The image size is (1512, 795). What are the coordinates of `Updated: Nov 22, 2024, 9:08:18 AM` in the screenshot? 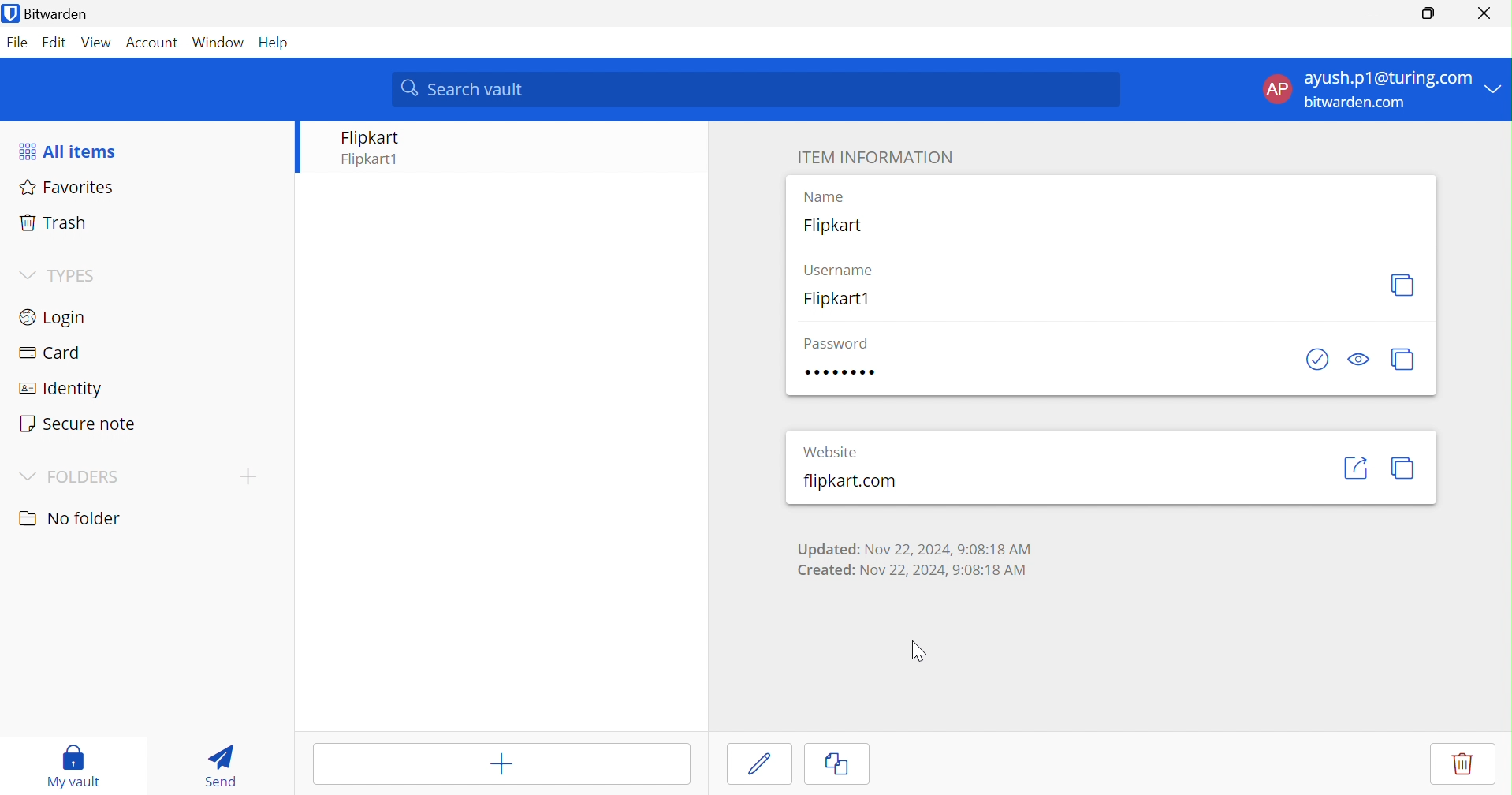 It's located at (915, 549).